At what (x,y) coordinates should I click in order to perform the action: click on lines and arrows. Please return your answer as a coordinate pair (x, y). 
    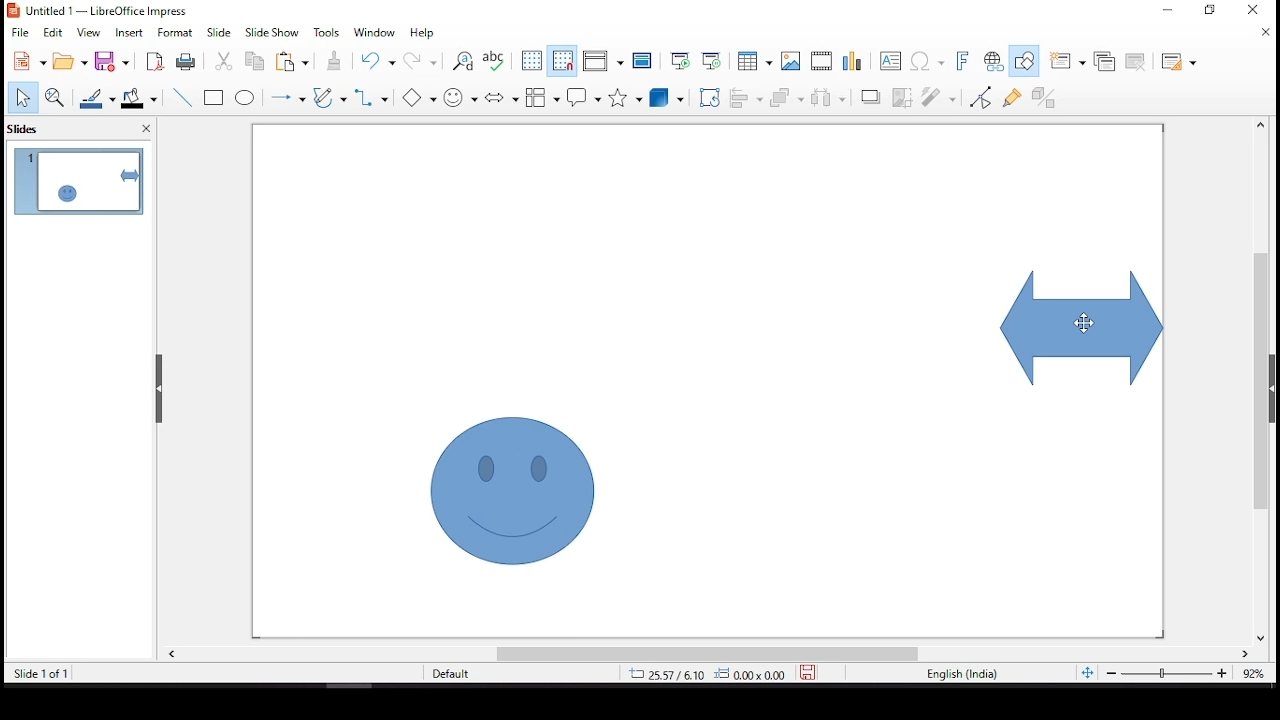
    Looking at the image, I should click on (287, 97).